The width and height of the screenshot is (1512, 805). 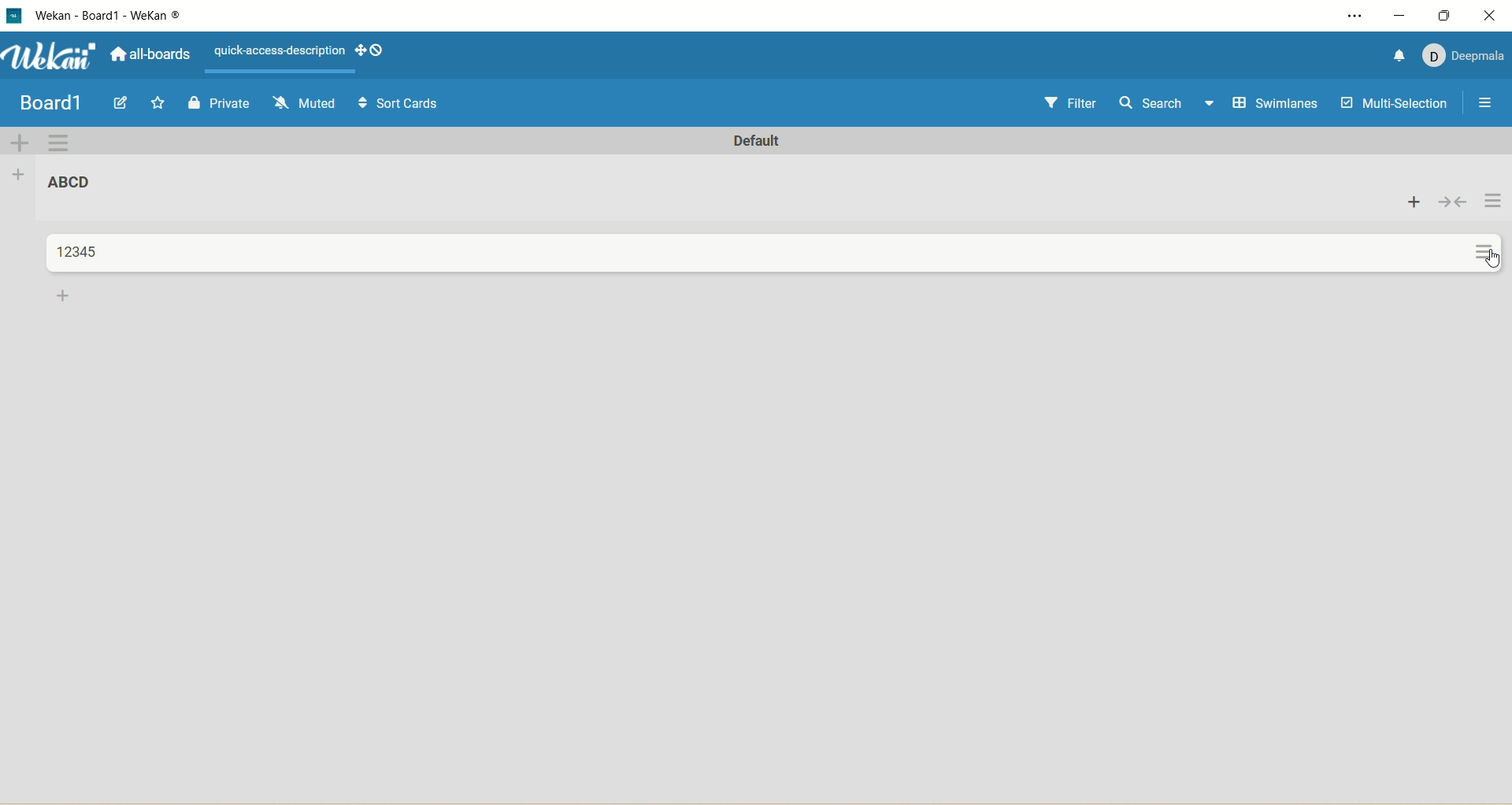 What do you see at coordinates (159, 102) in the screenshot?
I see `favorite` at bounding box center [159, 102].